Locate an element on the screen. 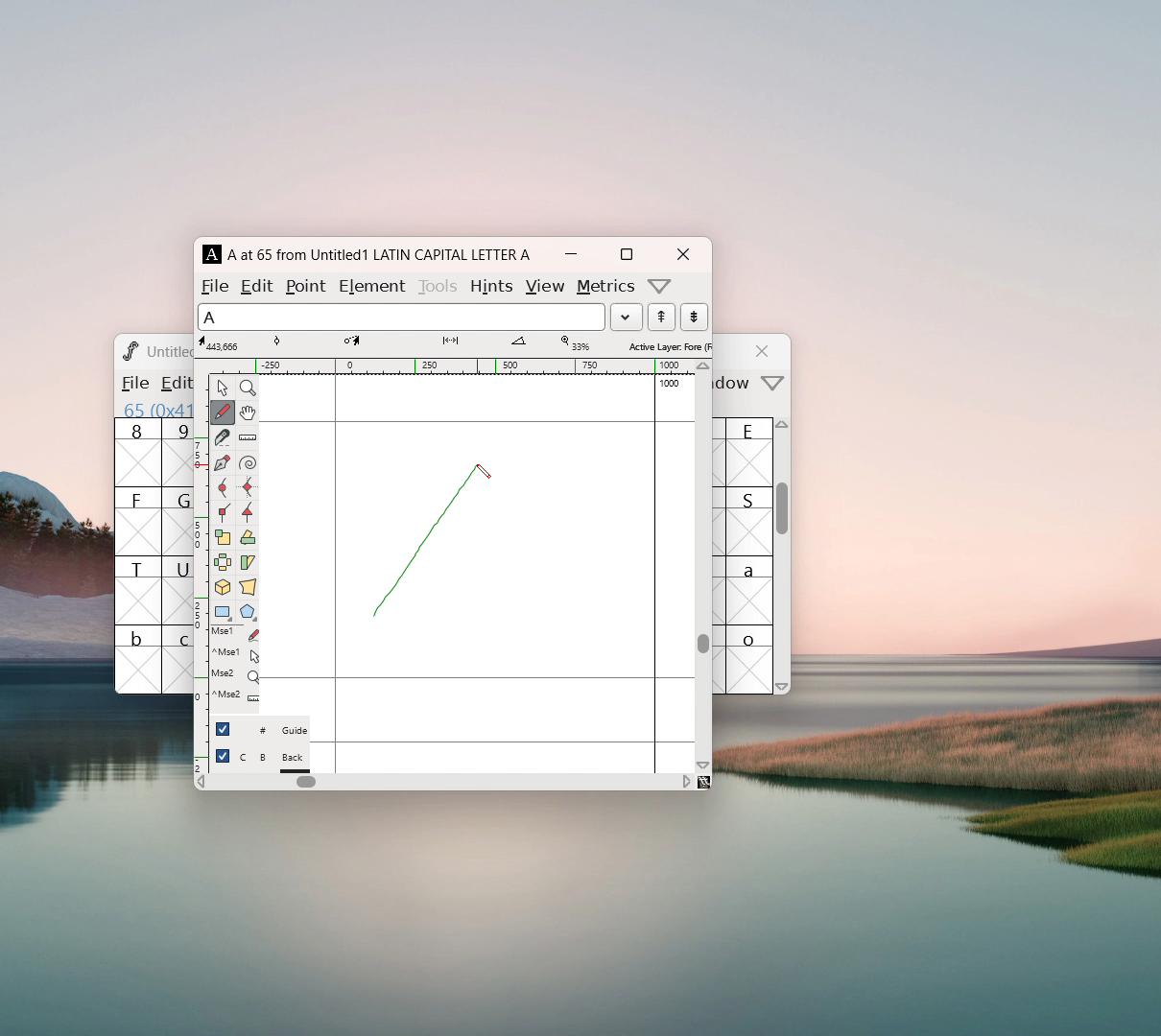  add a curve point always horizontal or vertical is located at coordinates (248, 487).